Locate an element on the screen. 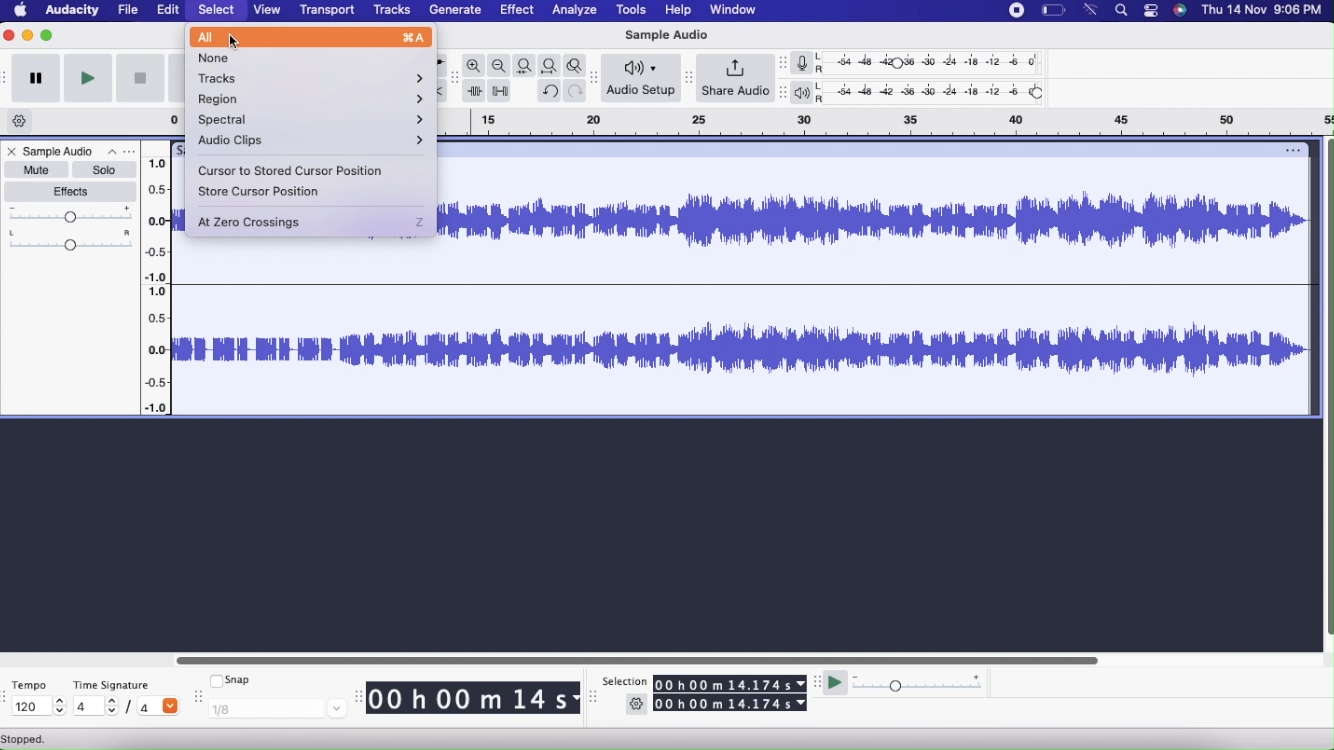 This screenshot has height=750, width=1334. Tools is located at coordinates (632, 11).